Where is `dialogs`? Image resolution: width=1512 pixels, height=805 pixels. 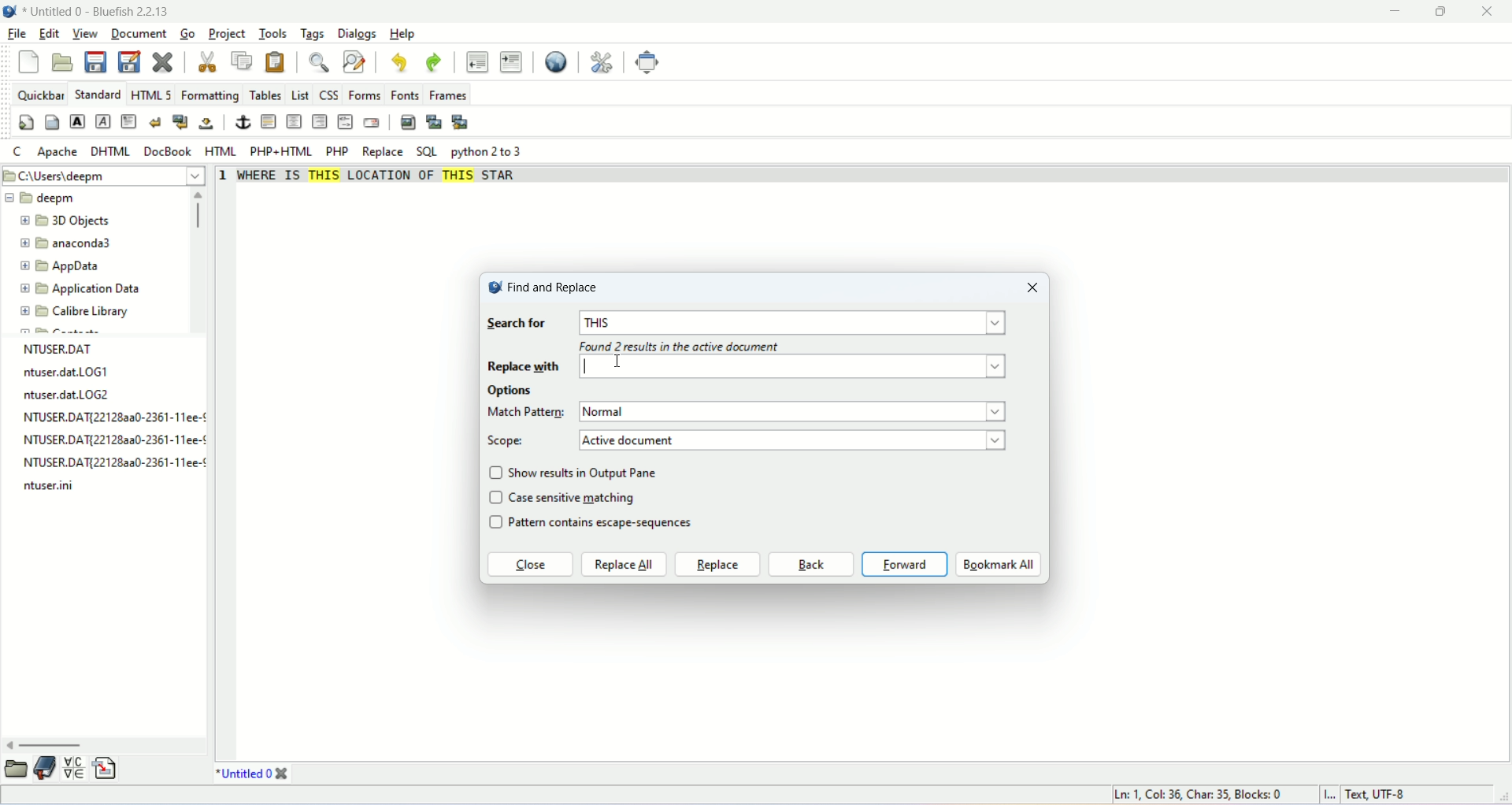
dialogs is located at coordinates (356, 33).